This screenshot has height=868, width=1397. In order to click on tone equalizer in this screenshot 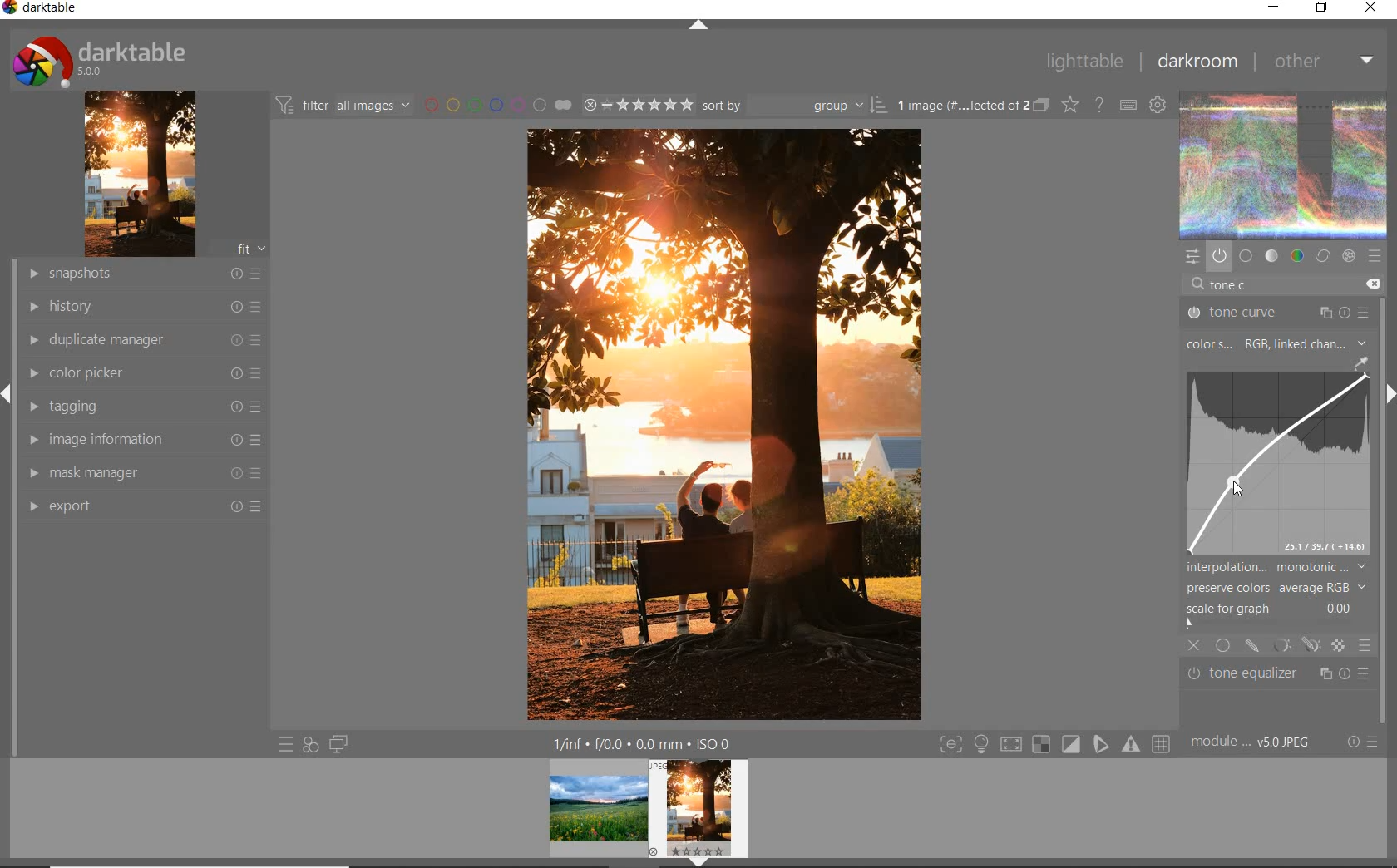, I will do `click(1276, 673)`.